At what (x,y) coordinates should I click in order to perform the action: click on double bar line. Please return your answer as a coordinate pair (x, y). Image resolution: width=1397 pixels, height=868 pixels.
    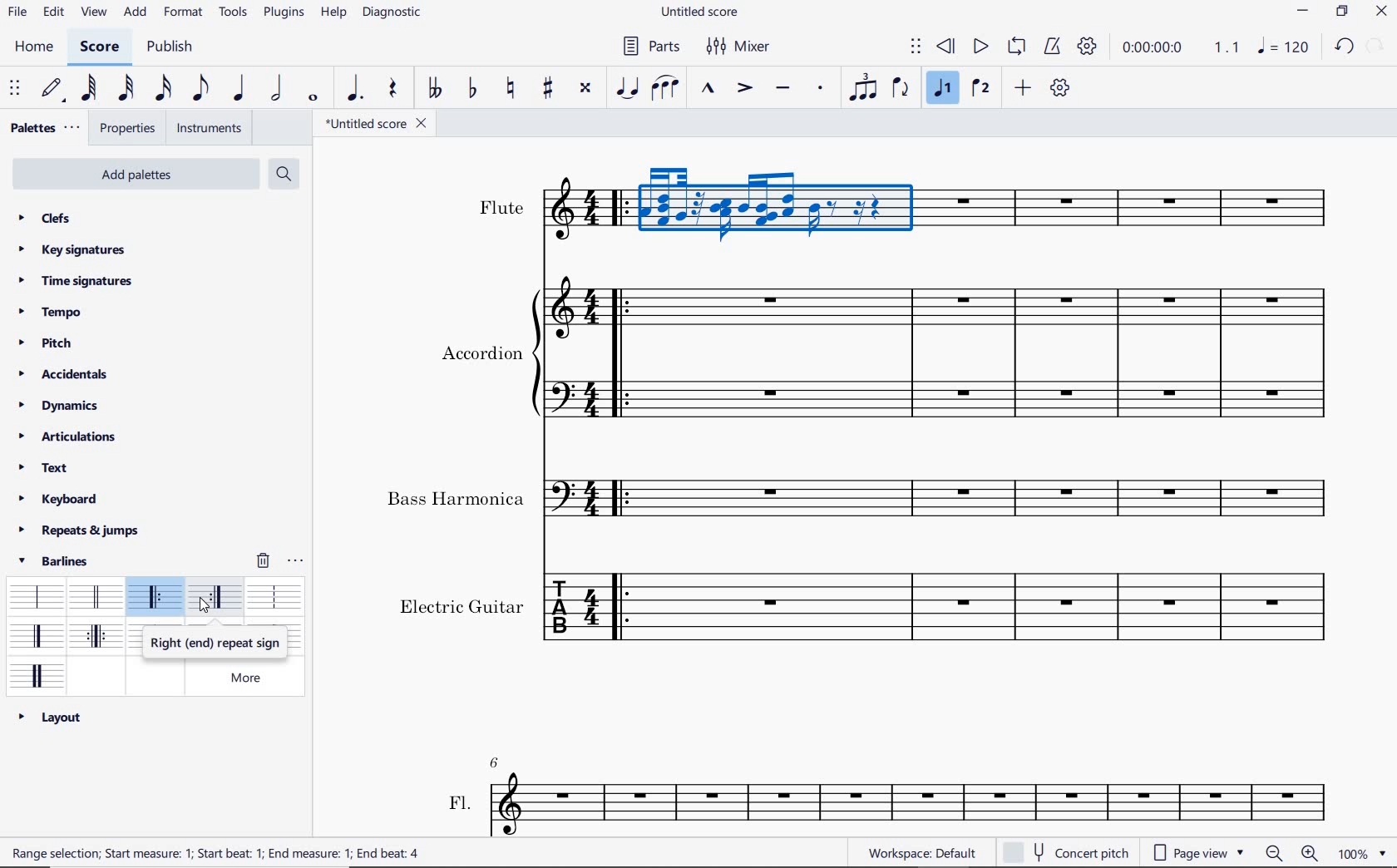
    Looking at the image, I should click on (95, 596).